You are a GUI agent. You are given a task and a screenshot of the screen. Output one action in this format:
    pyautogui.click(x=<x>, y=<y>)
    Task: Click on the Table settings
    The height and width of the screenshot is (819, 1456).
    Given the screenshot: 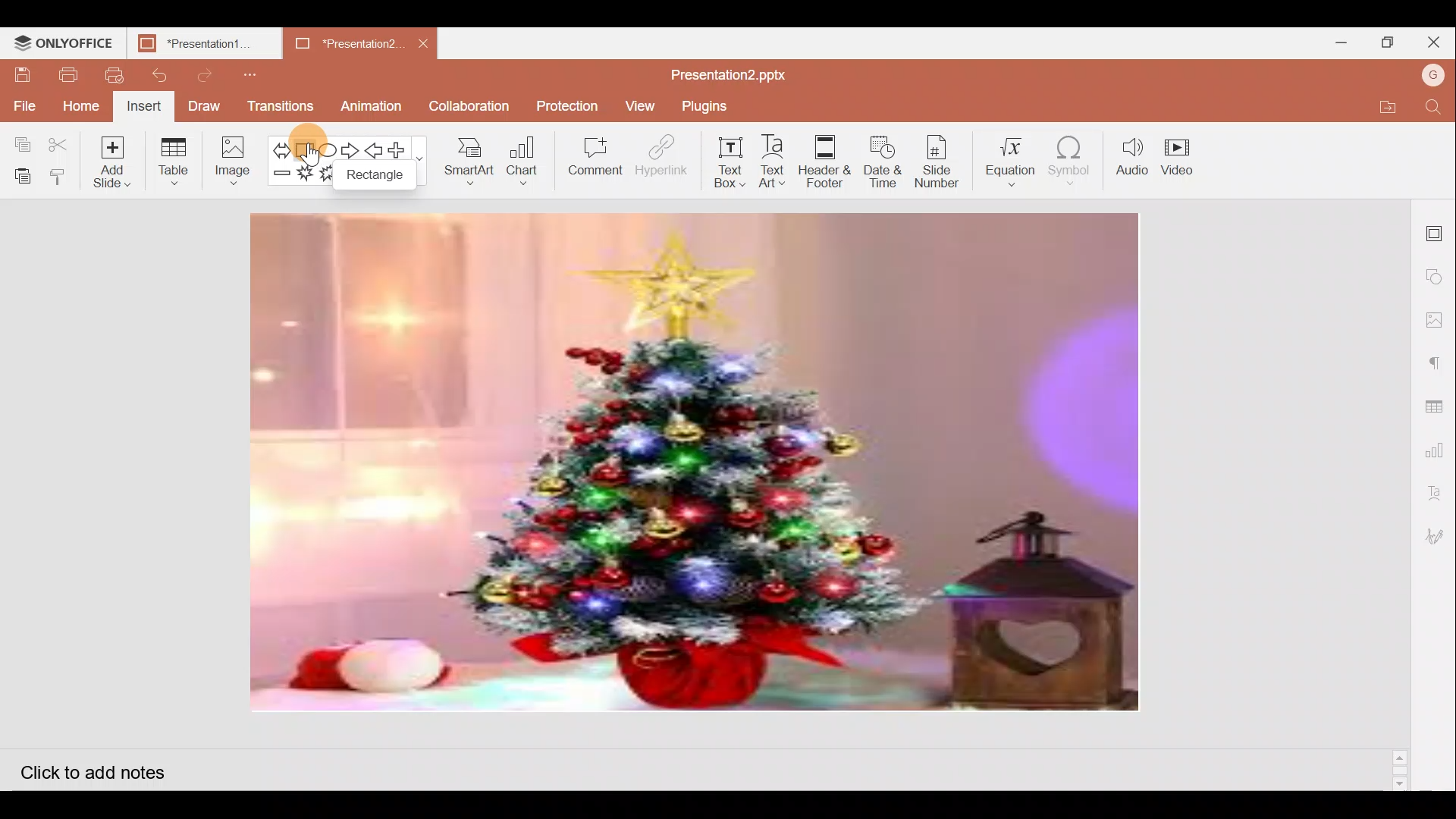 What is the action you would take?
    pyautogui.click(x=1438, y=398)
    